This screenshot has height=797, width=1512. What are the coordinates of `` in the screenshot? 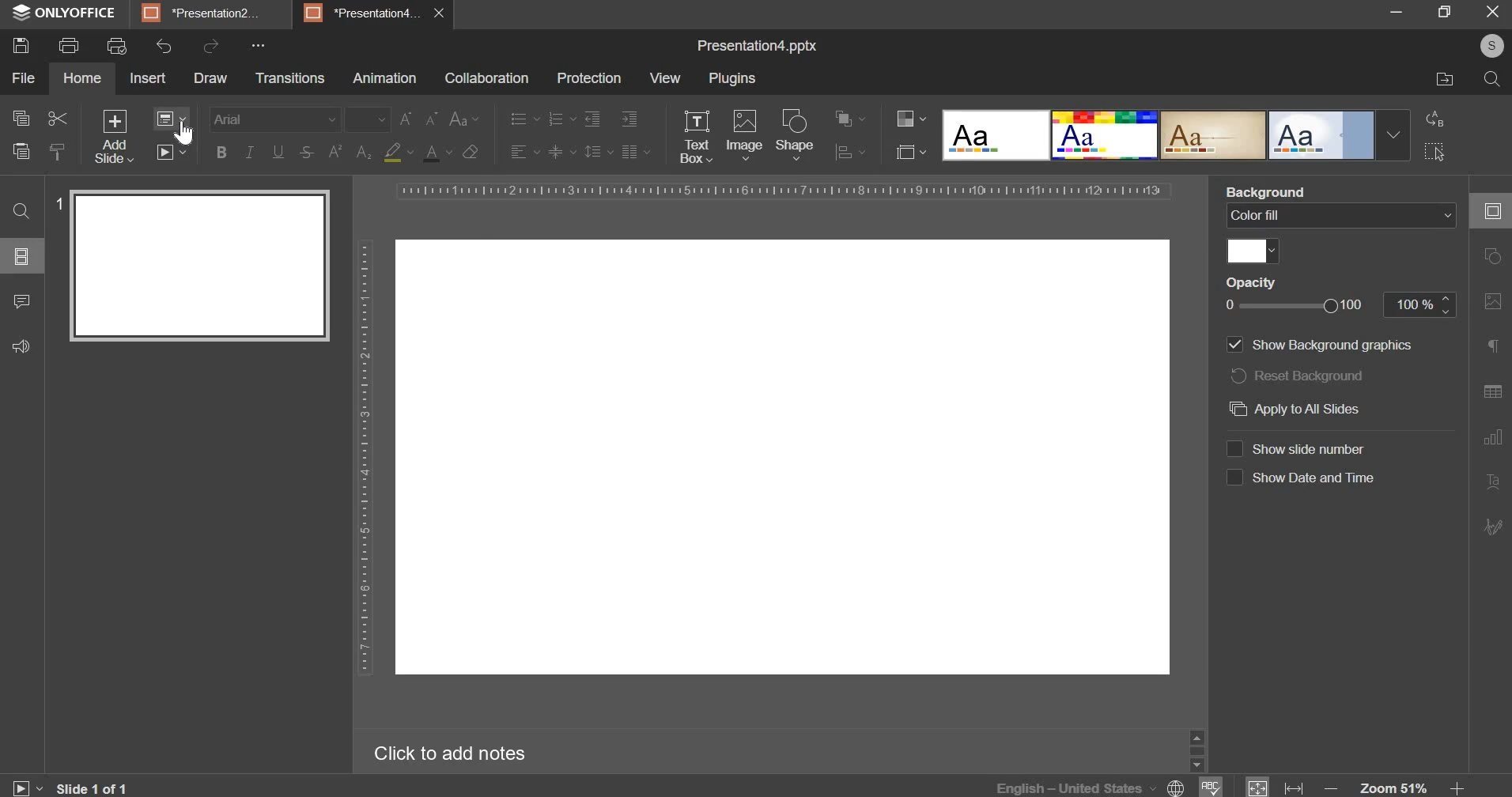 It's located at (782, 456).